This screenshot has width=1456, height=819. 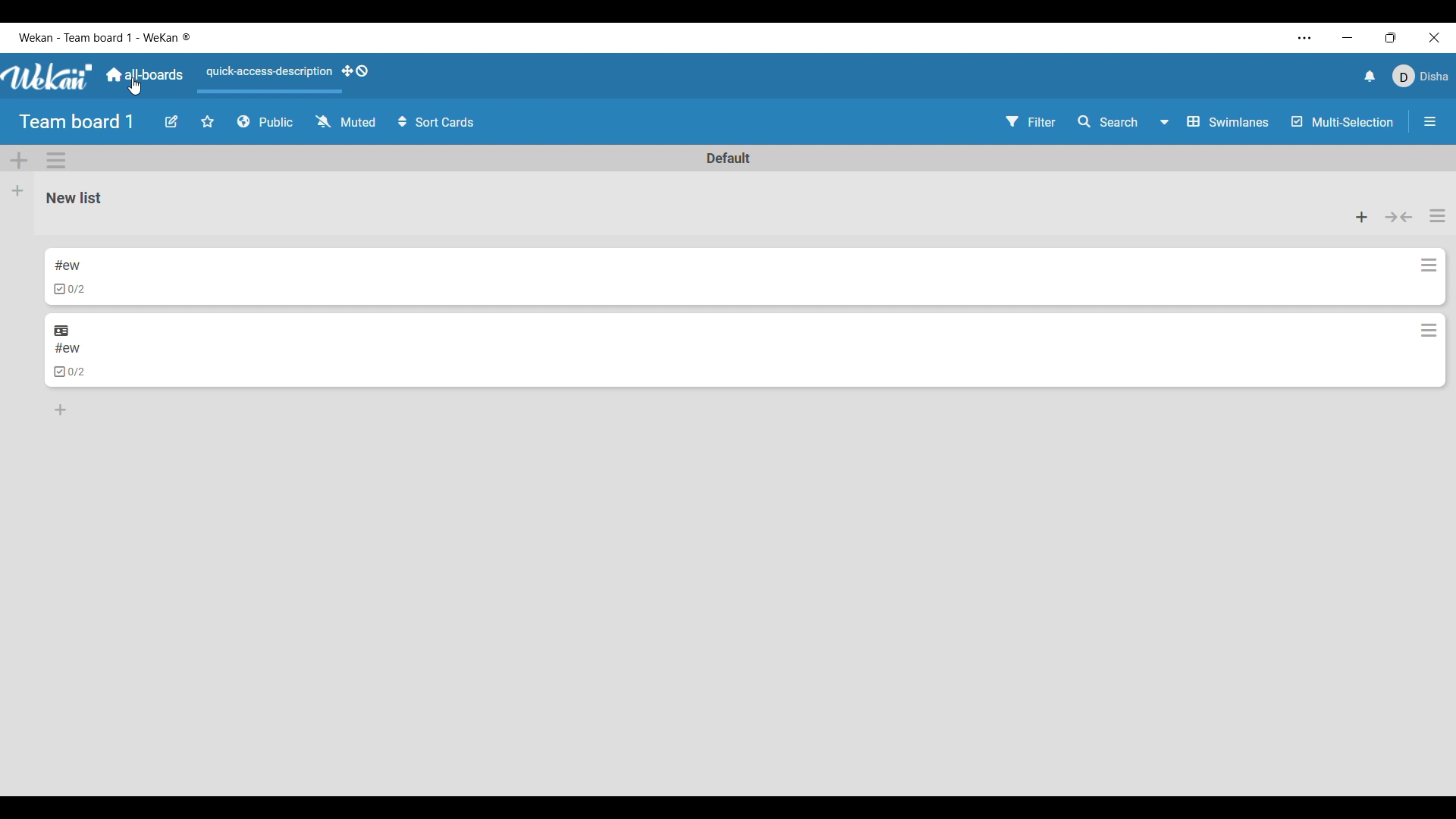 I want to click on More, so click(x=1429, y=119).